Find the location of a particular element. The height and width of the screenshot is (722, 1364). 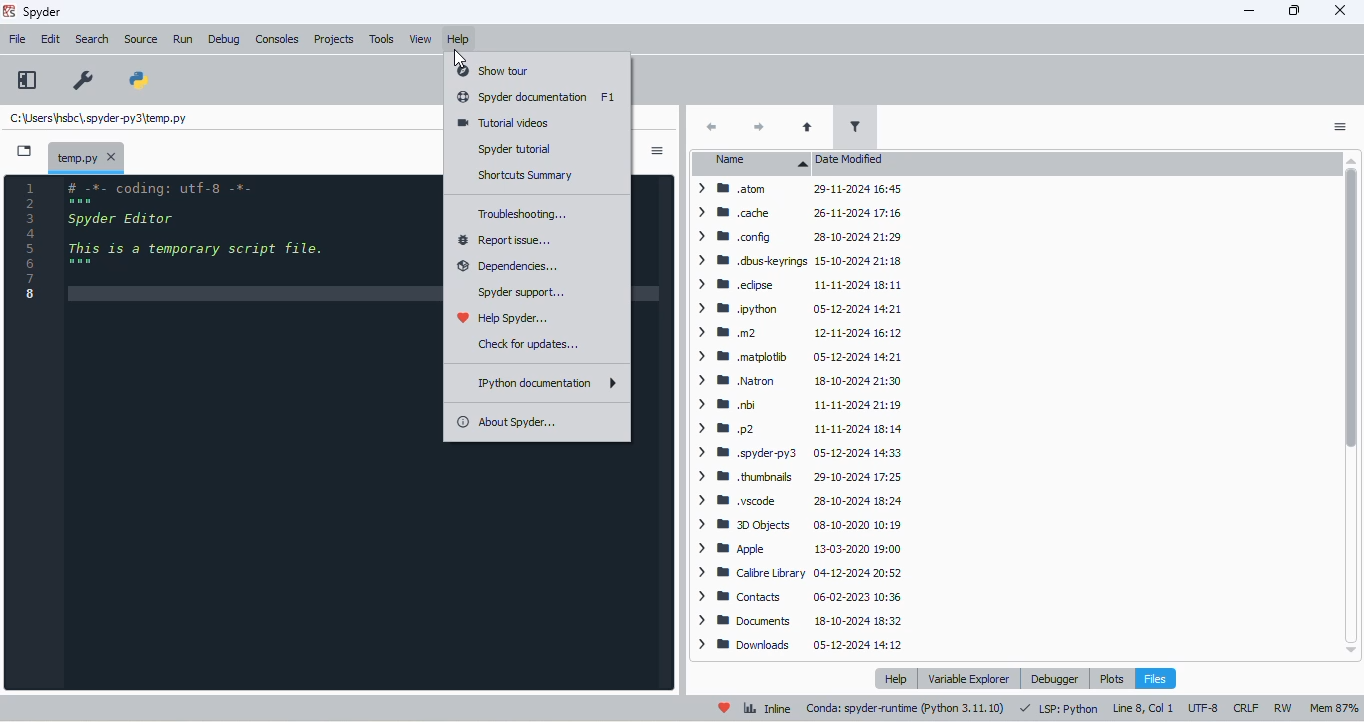

edit is located at coordinates (50, 39).